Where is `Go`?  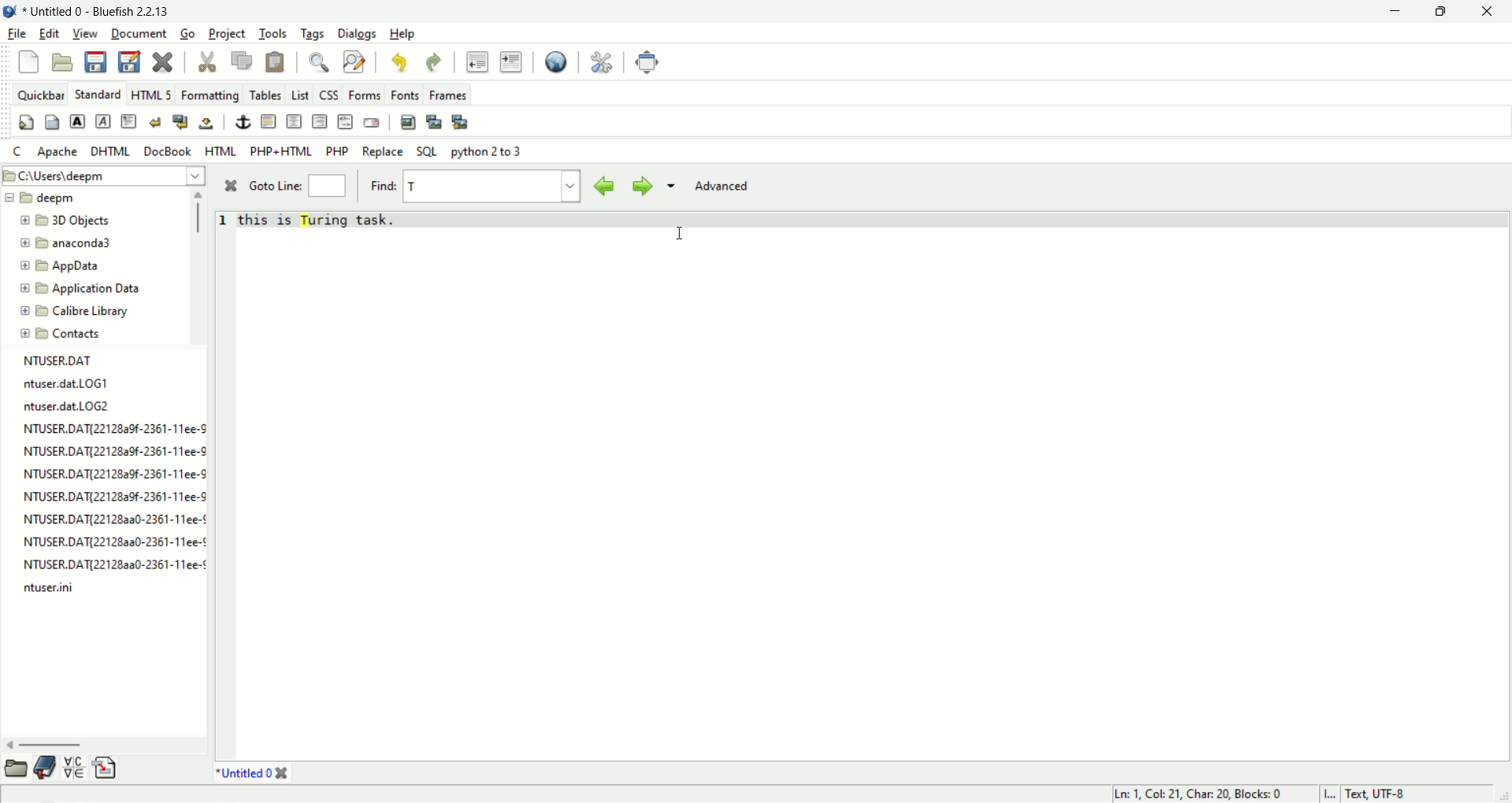
Go is located at coordinates (191, 34).